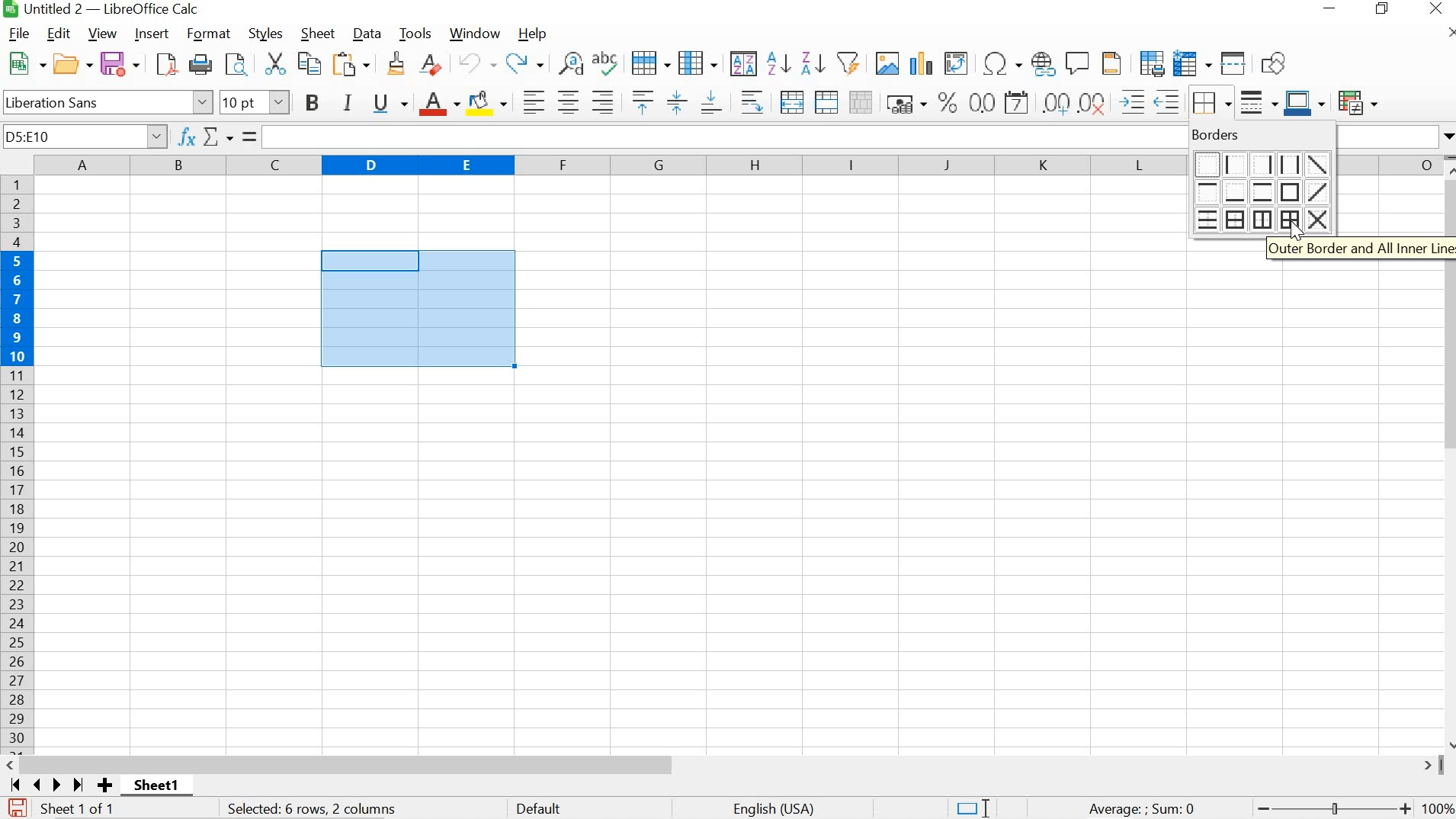 The width and height of the screenshot is (1456, 819). What do you see at coordinates (275, 63) in the screenshot?
I see `CUT` at bounding box center [275, 63].